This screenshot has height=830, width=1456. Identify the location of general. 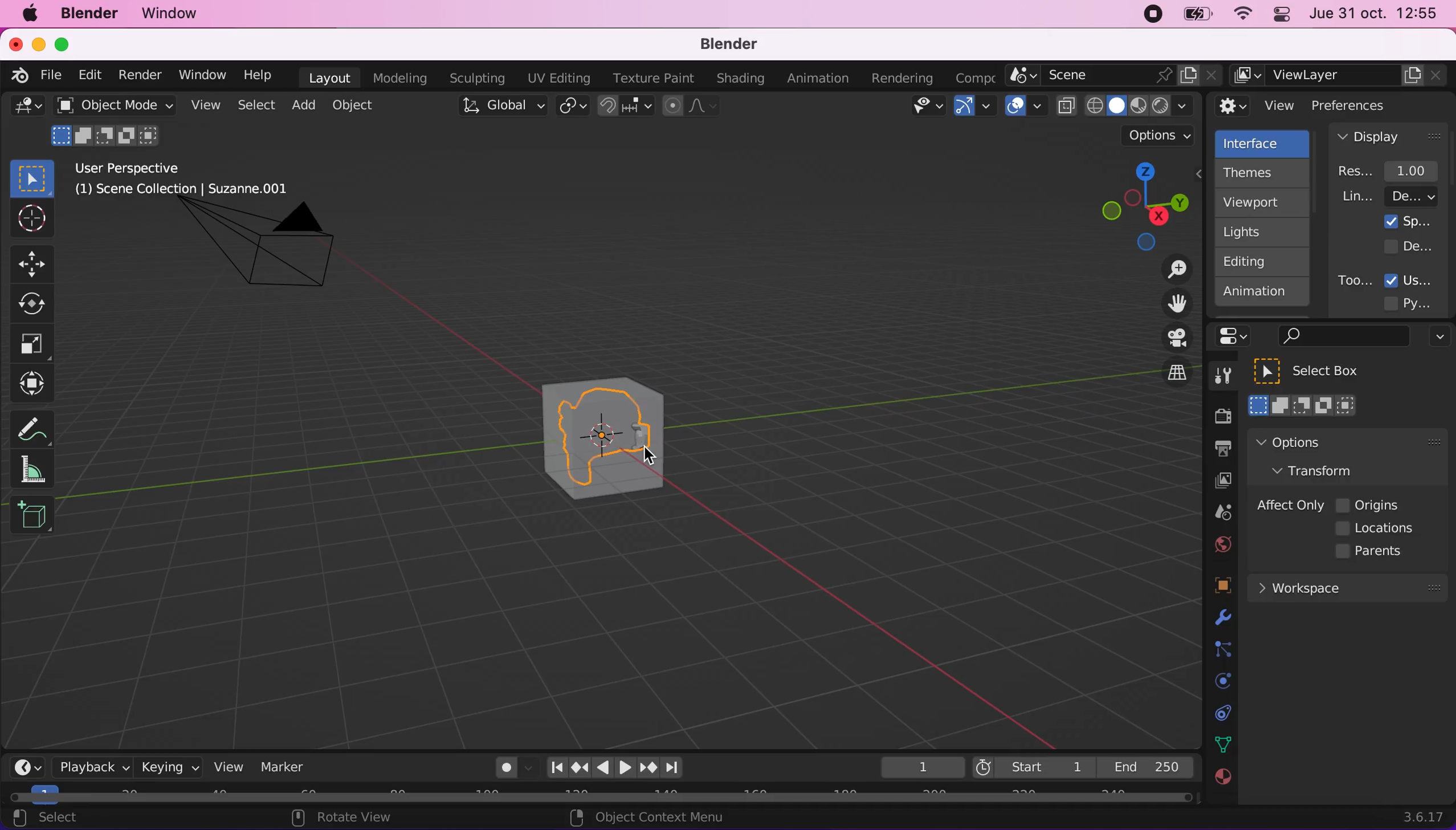
(27, 109).